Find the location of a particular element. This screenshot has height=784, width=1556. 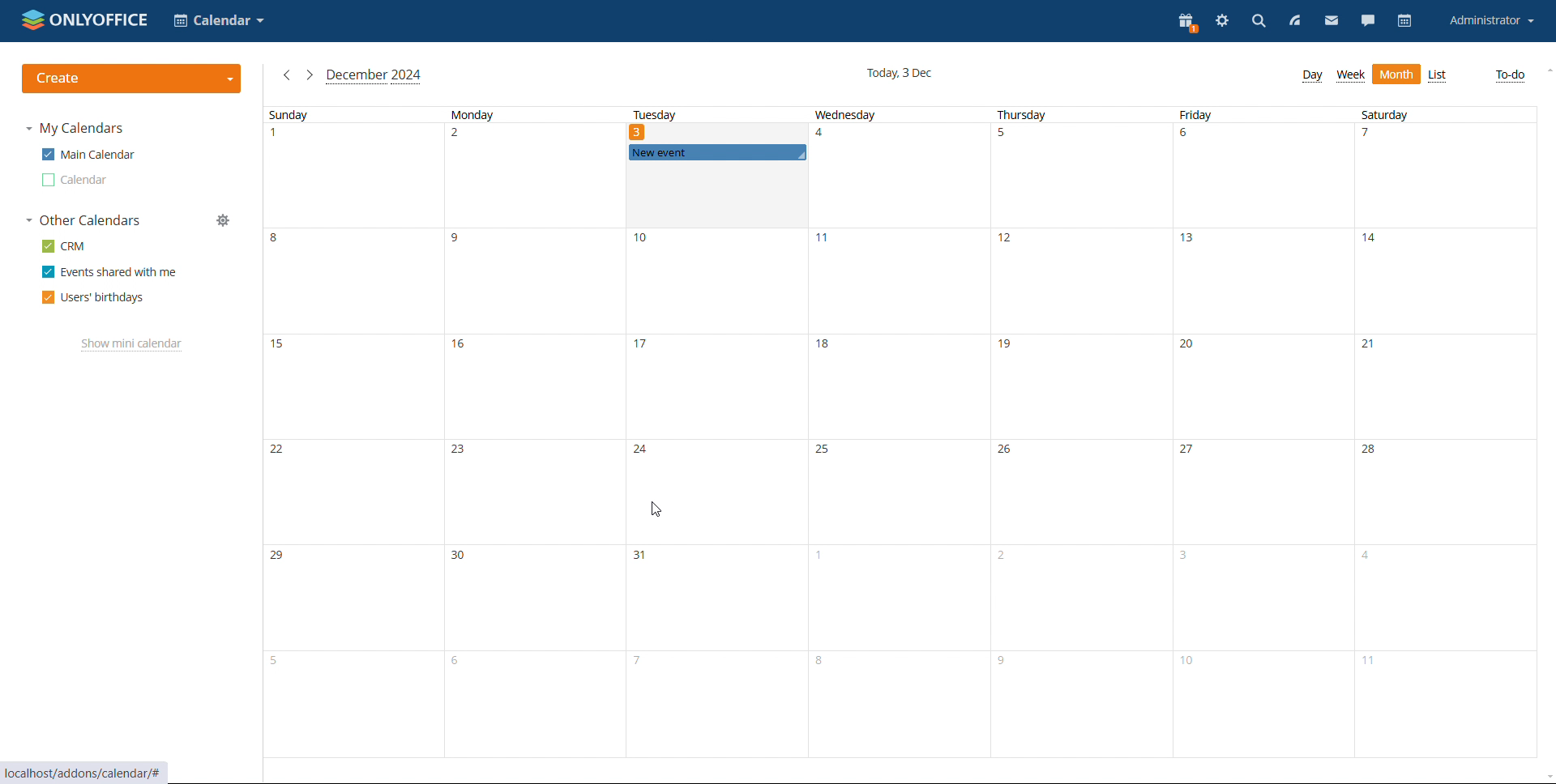

manage is located at coordinates (227, 220).